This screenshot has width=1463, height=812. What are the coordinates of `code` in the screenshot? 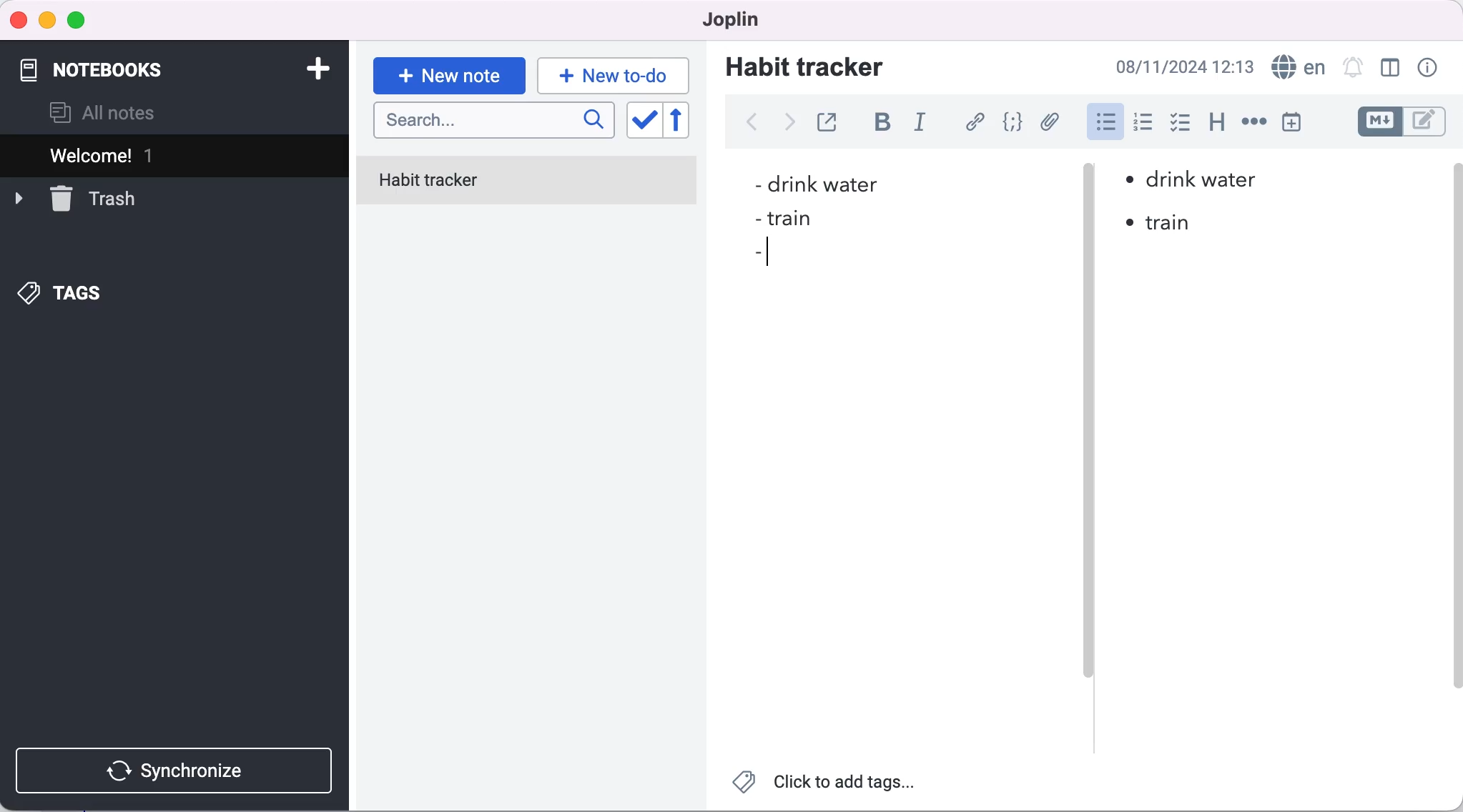 It's located at (1015, 122).